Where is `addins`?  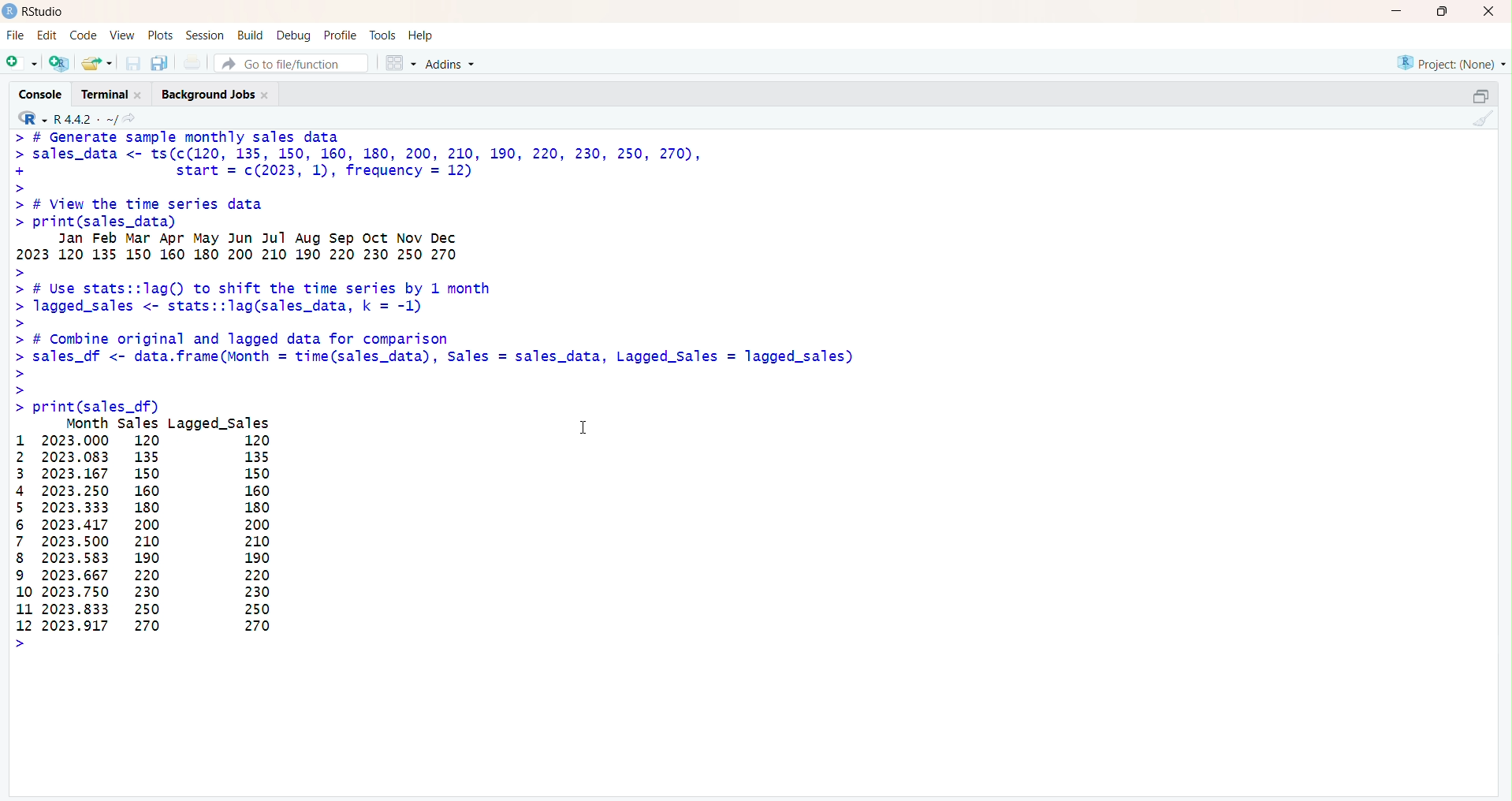
addins is located at coordinates (453, 63).